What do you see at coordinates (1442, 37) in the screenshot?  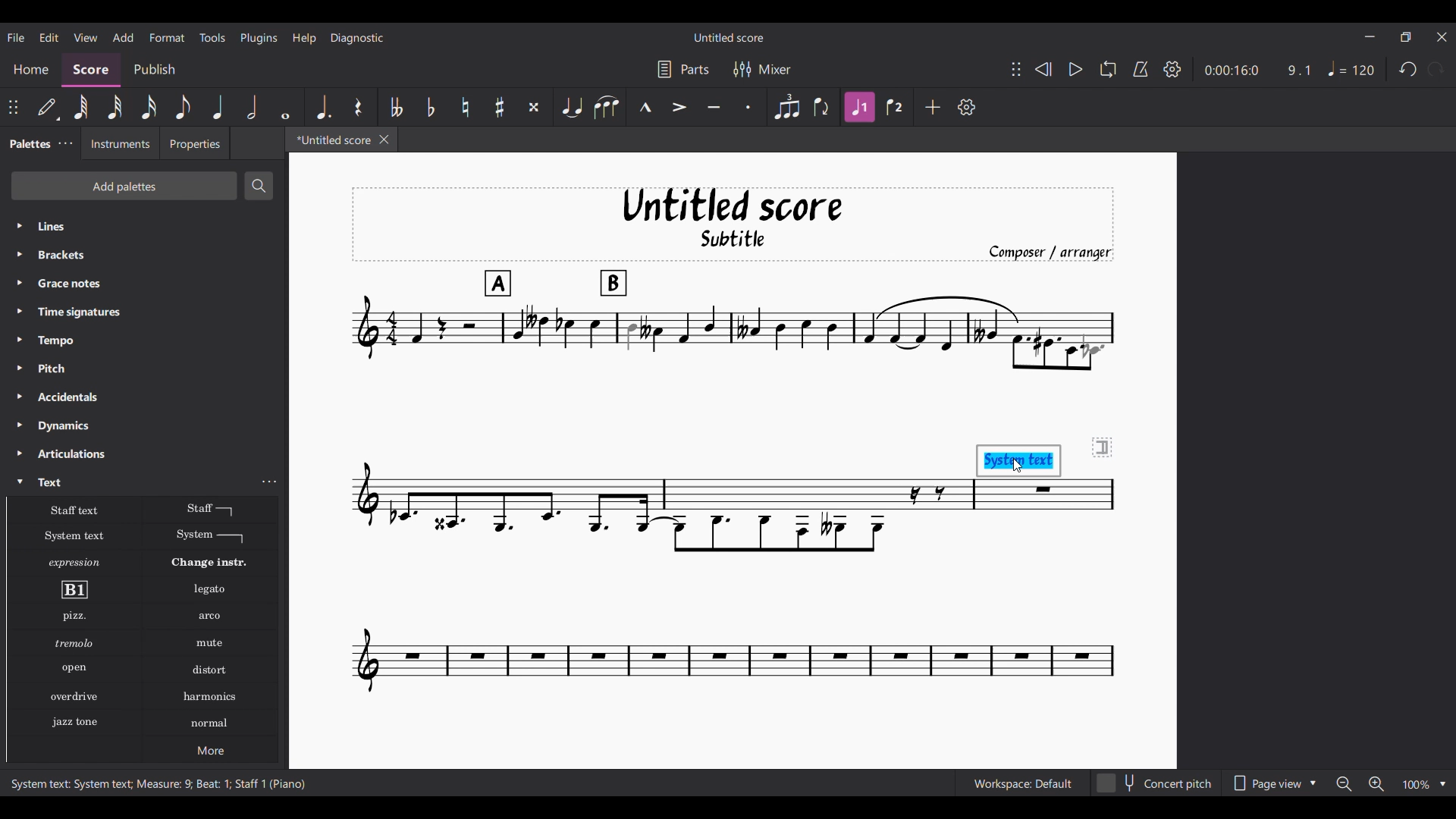 I see `Close interface` at bounding box center [1442, 37].